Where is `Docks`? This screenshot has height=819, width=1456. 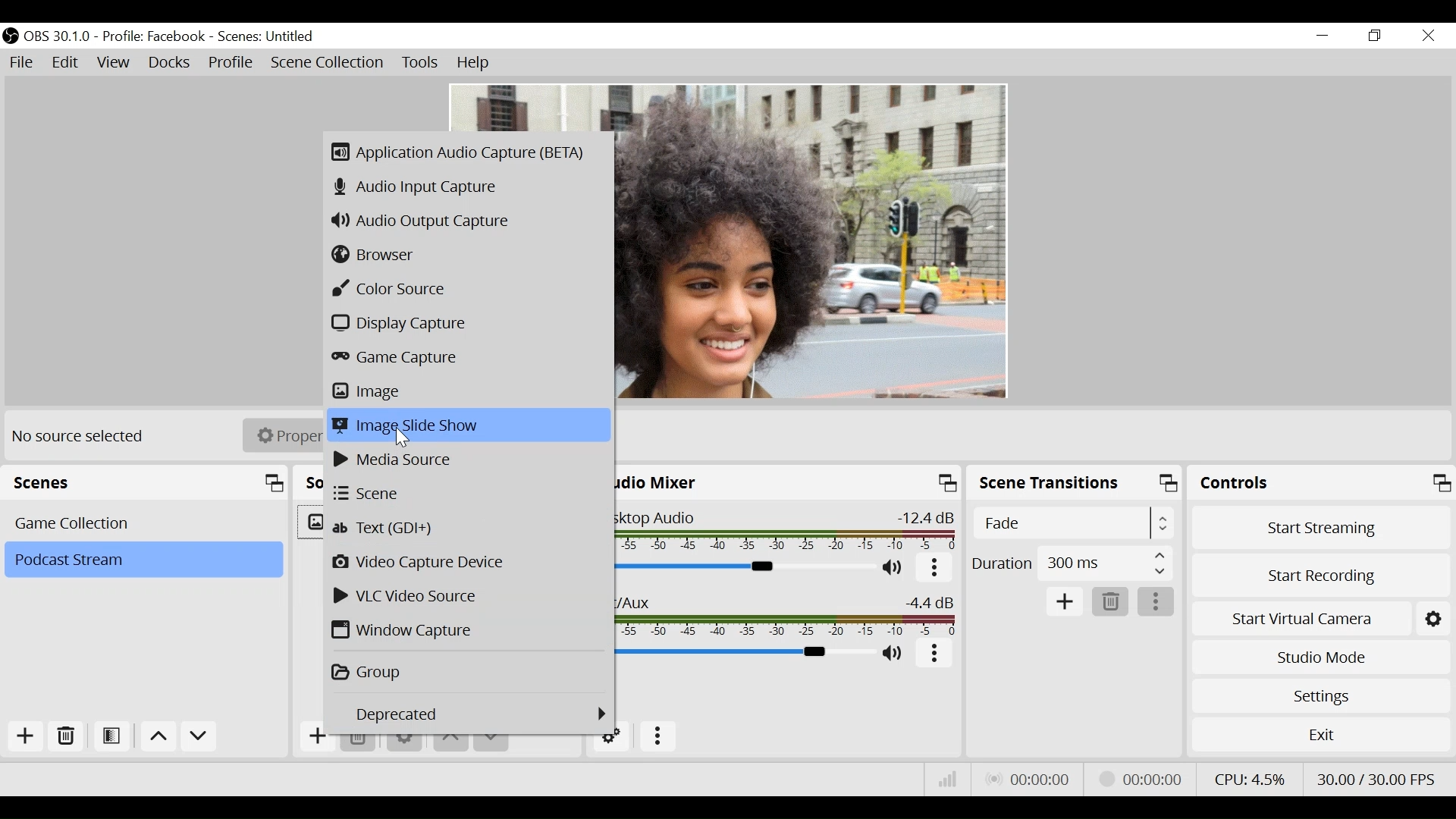
Docks is located at coordinates (171, 64).